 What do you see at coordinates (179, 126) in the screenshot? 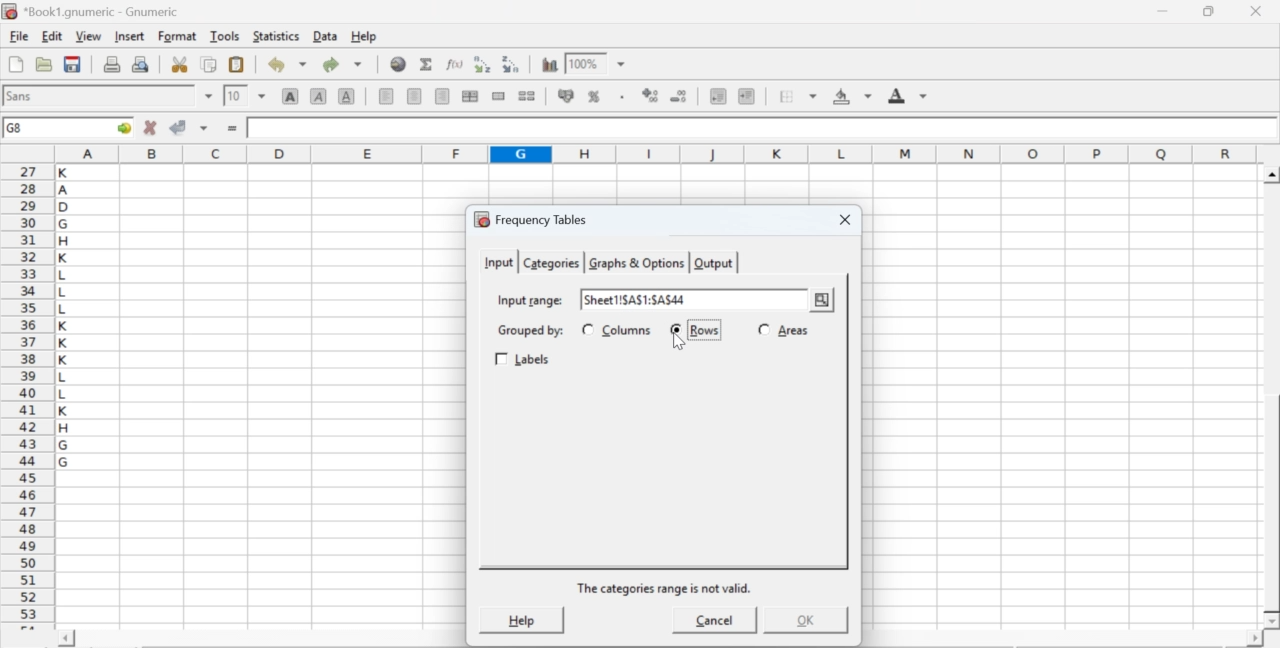
I see `accept changes` at bounding box center [179, 126].